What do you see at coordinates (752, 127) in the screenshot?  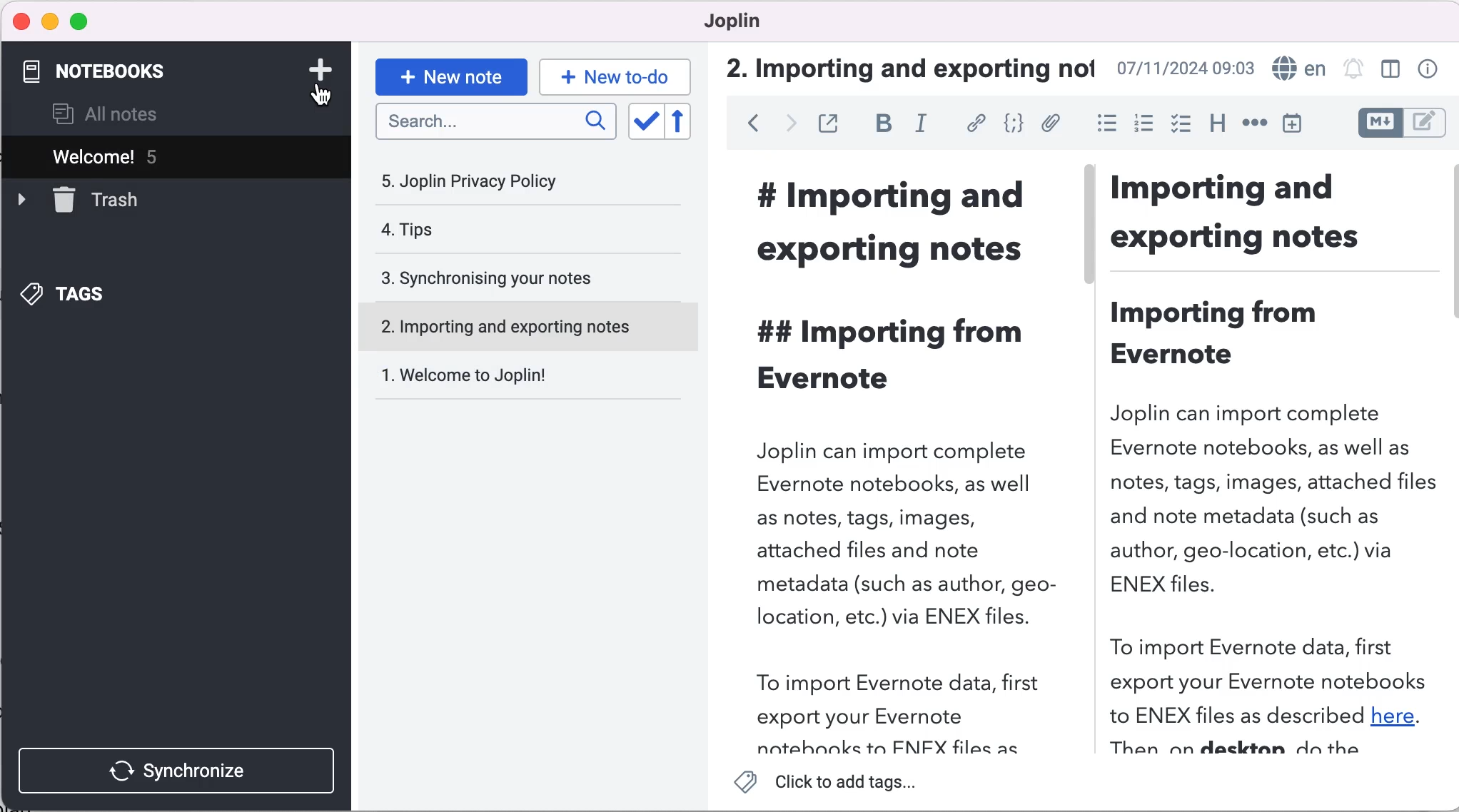 I see `back` at bounding box center [752, 127].